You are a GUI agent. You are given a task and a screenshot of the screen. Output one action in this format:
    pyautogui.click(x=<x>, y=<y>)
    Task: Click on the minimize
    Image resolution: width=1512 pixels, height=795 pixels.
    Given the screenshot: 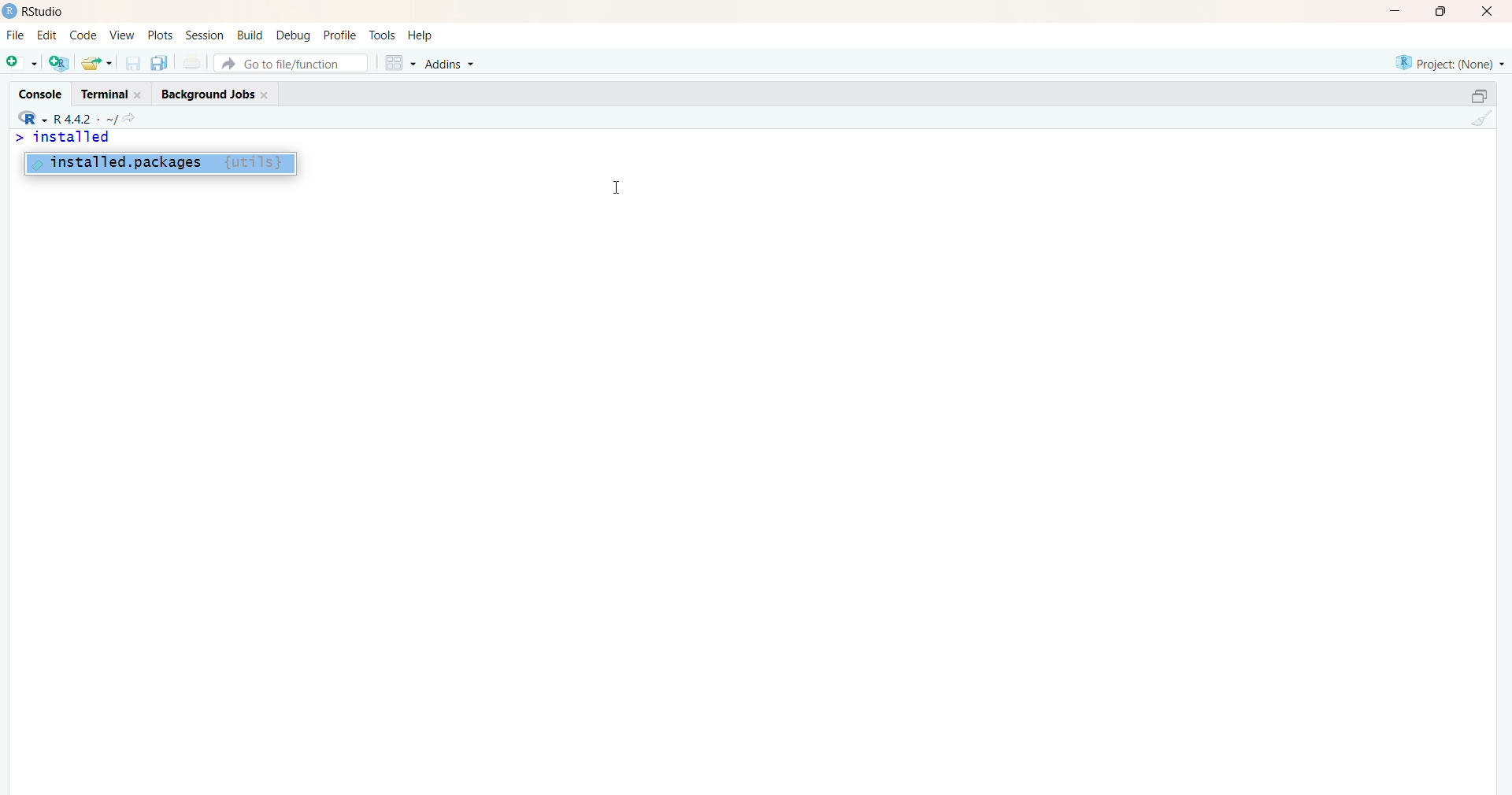 What is the action you would take?
    pyautogui.click(x=1392, y=11)
    